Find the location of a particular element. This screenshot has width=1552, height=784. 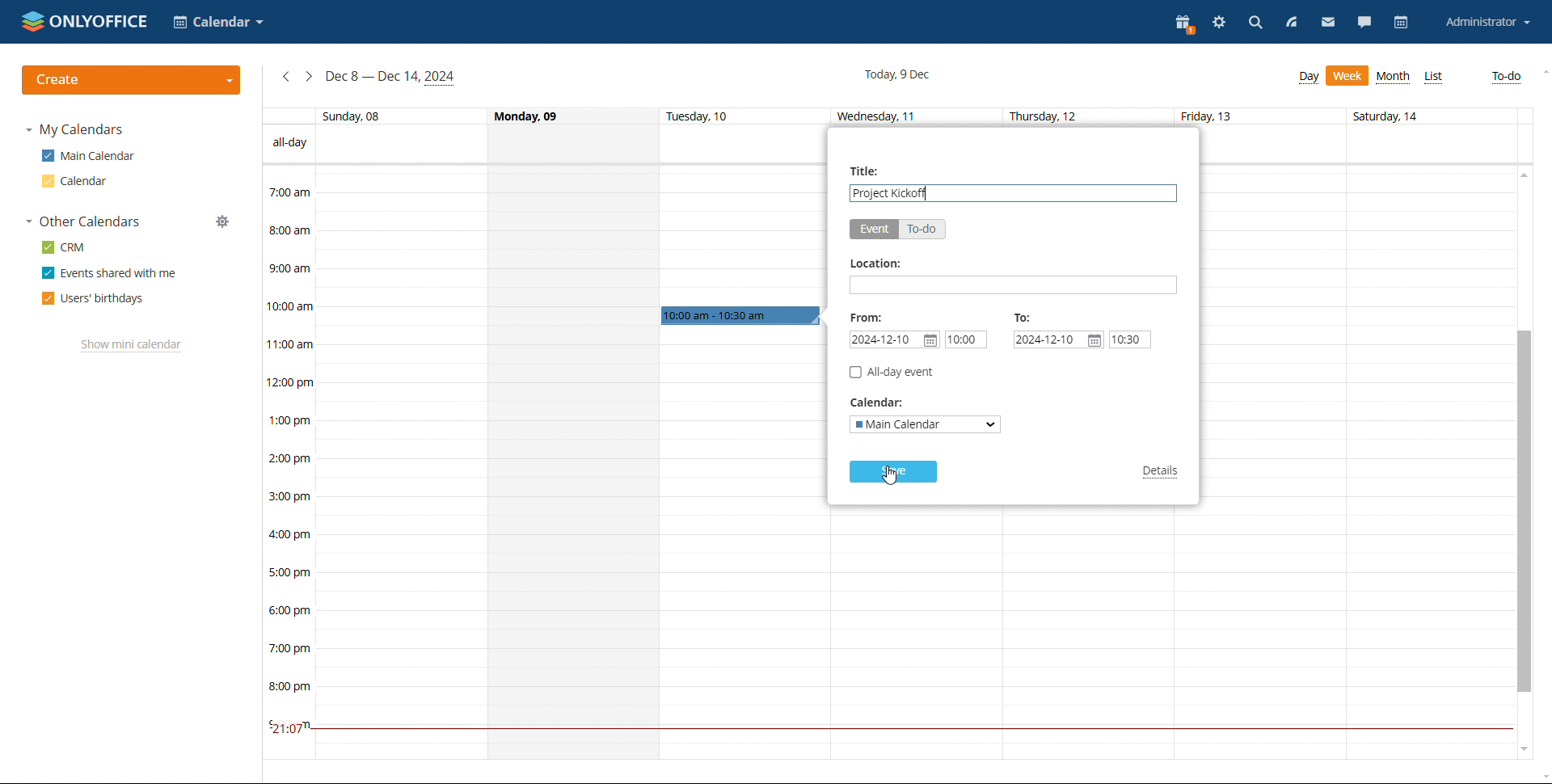

onlyoffice is located at coordinates (86, 21).